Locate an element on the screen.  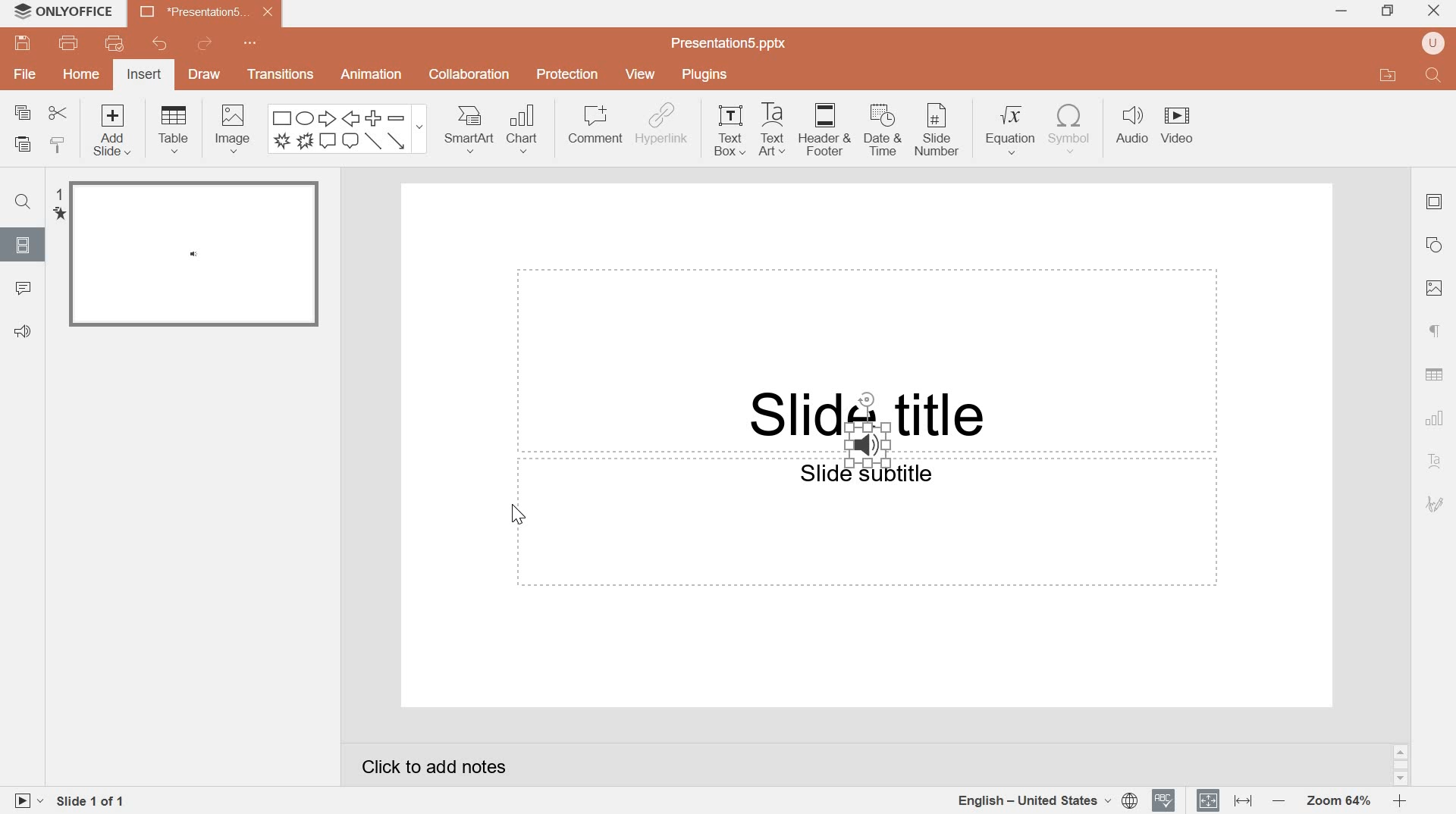
Date & Time is located at coordinates (884, 131).